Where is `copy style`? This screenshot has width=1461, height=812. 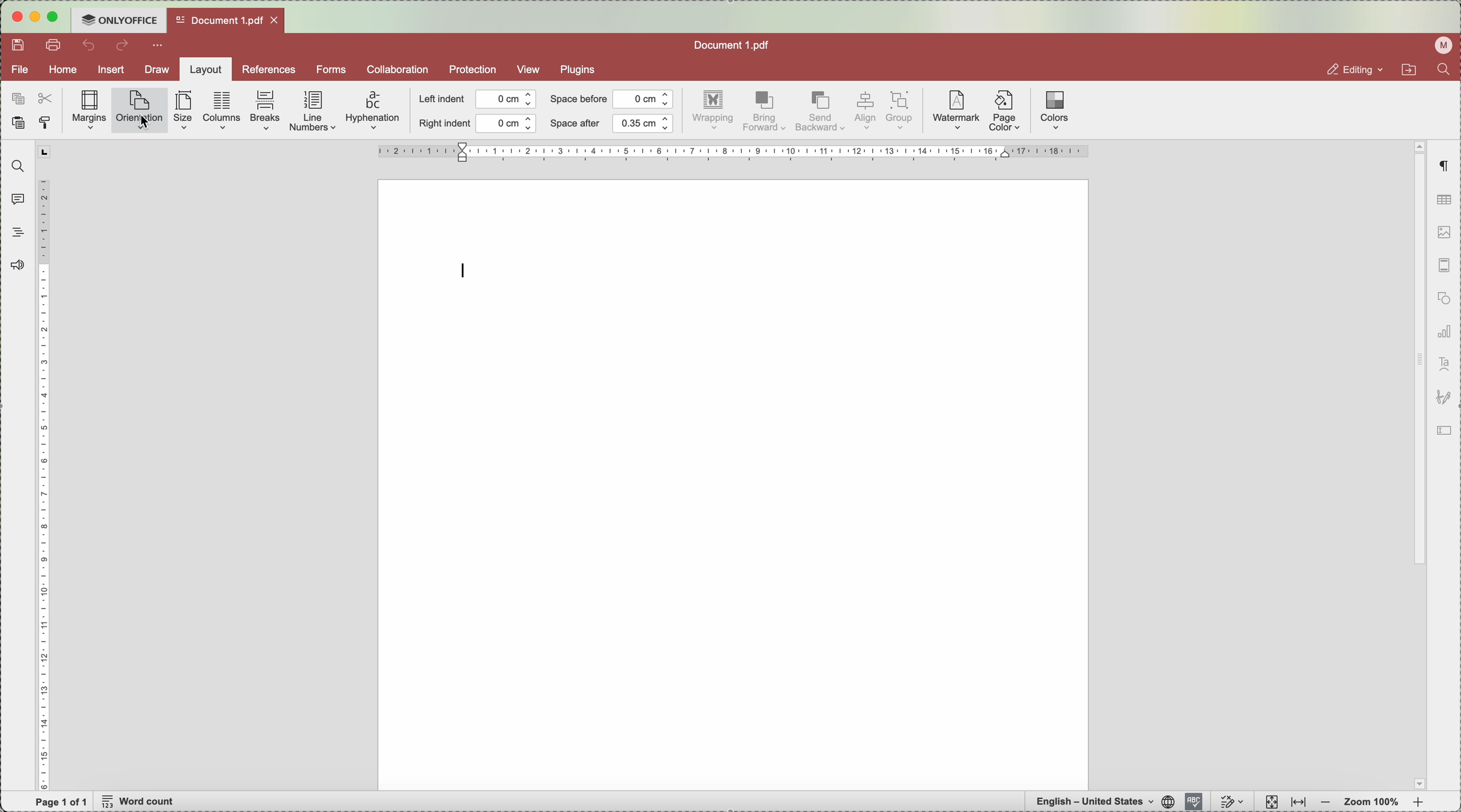
copy style is located at coordinates (48, 123).